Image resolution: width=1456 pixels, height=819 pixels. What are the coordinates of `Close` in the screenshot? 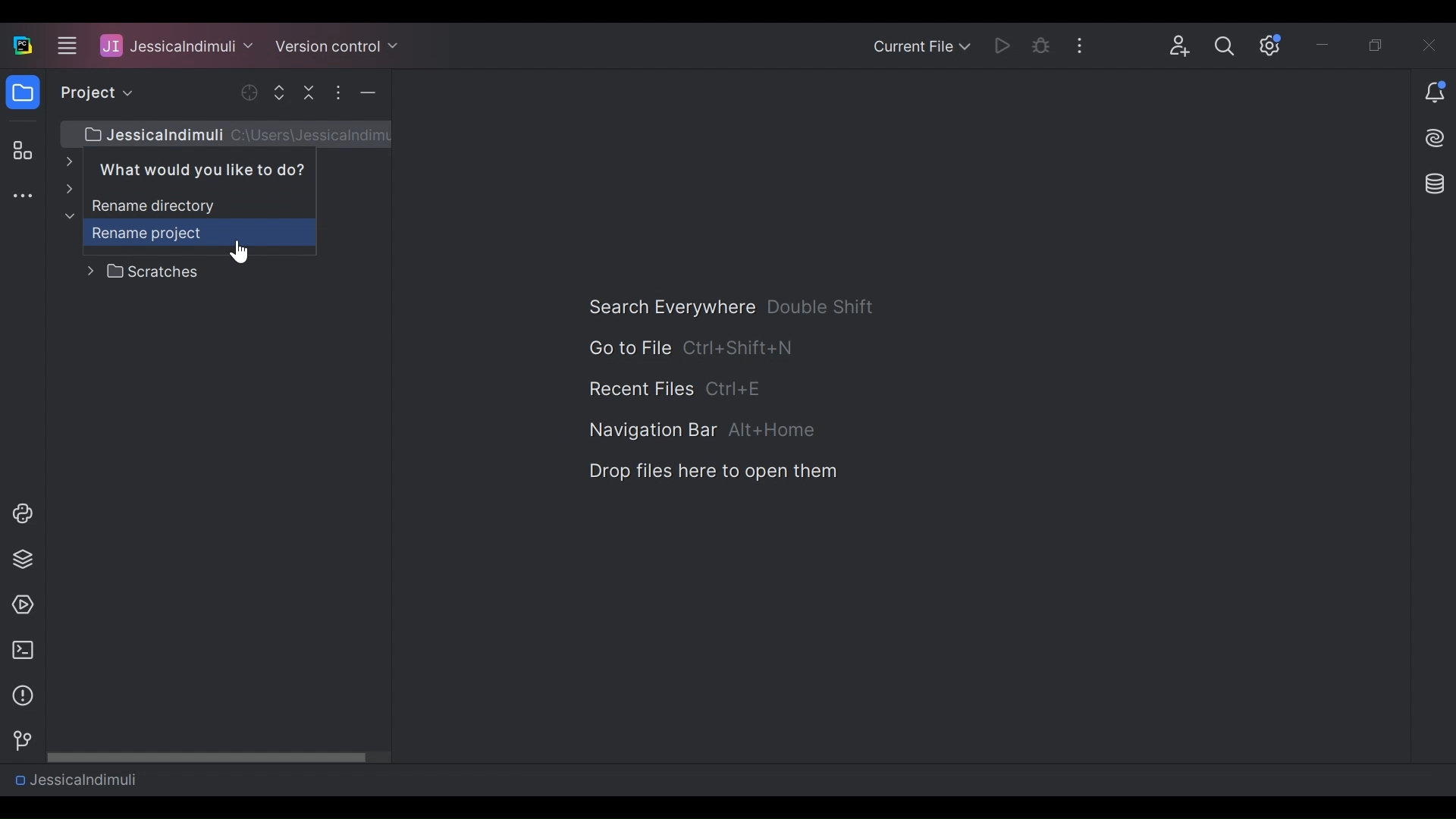 It's located at (1431, 45).